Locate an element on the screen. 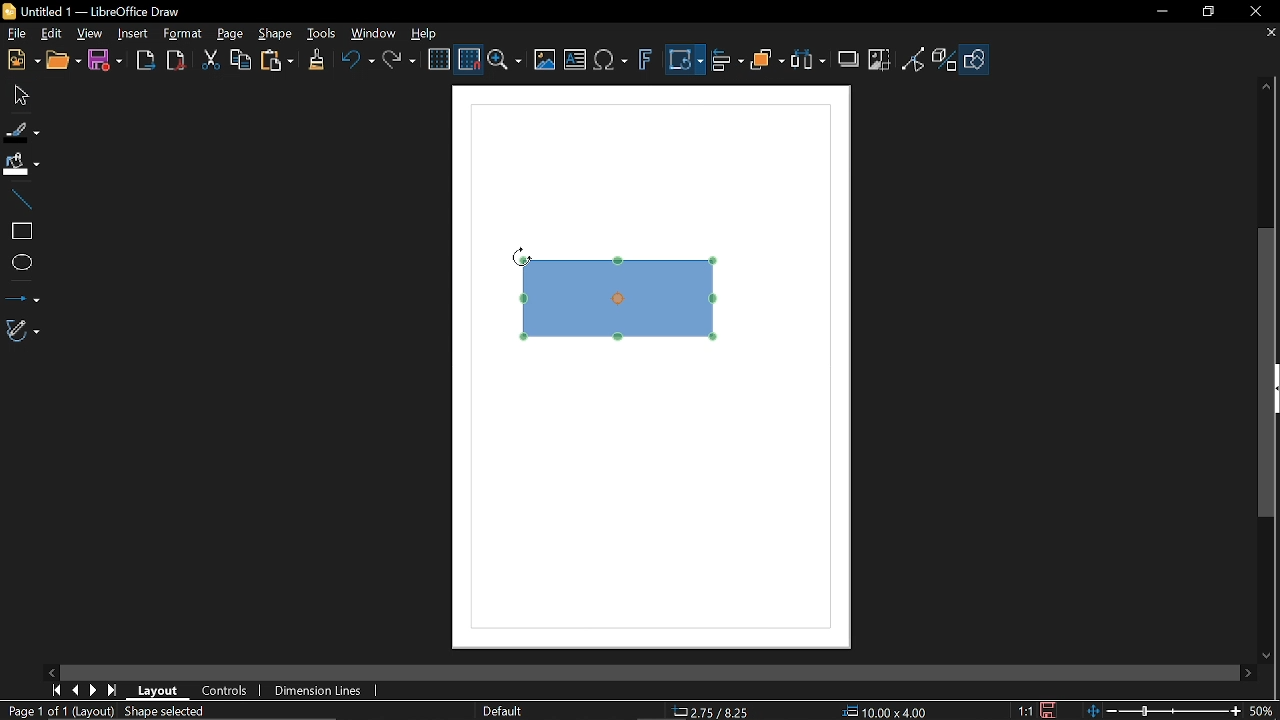 Image resolution: width=1280 pixels, height=720 pixels. Toggle  is located at coordinates (914, 61).